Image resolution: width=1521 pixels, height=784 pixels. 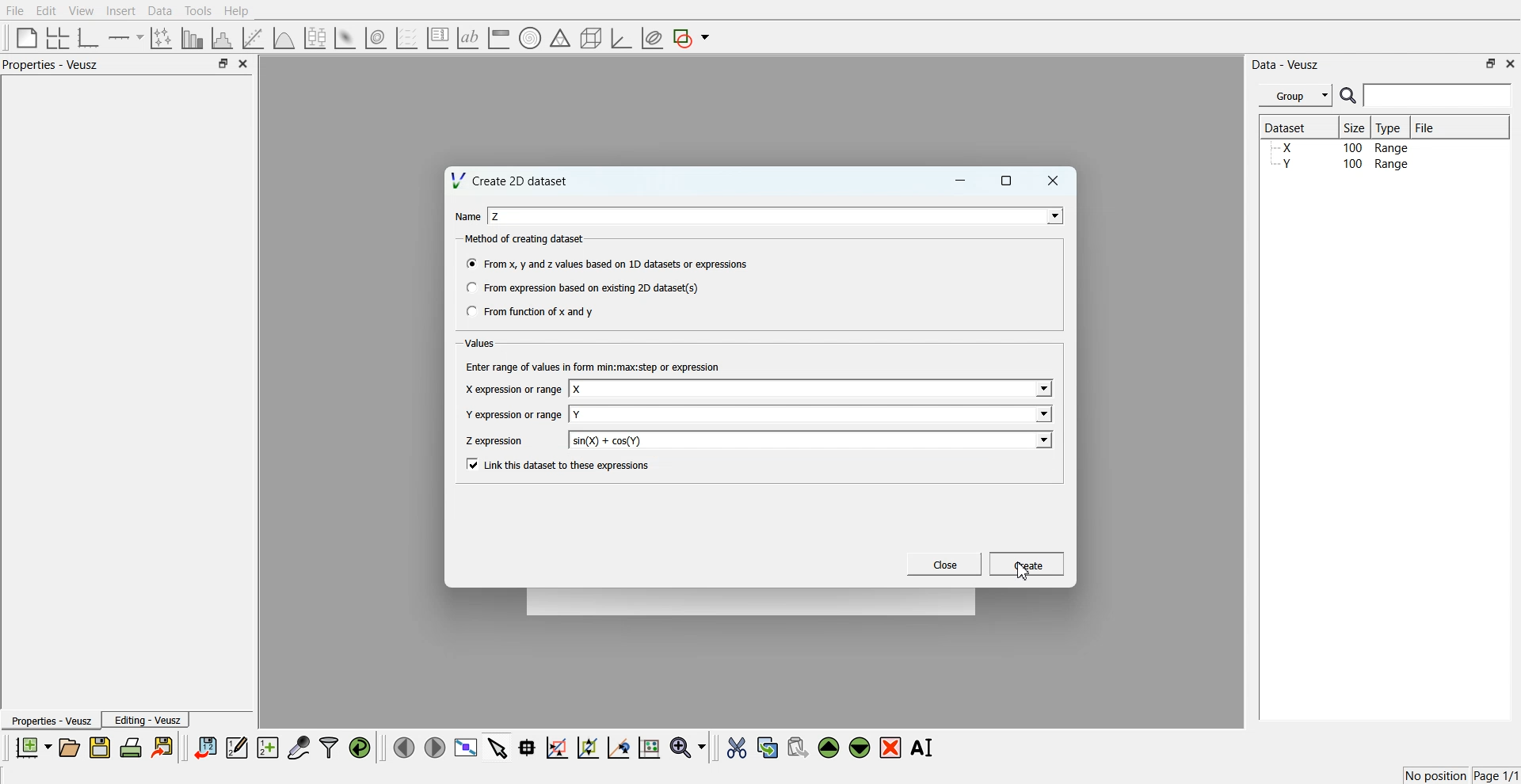 I want to click on Create, so click(x=1027, y=563).